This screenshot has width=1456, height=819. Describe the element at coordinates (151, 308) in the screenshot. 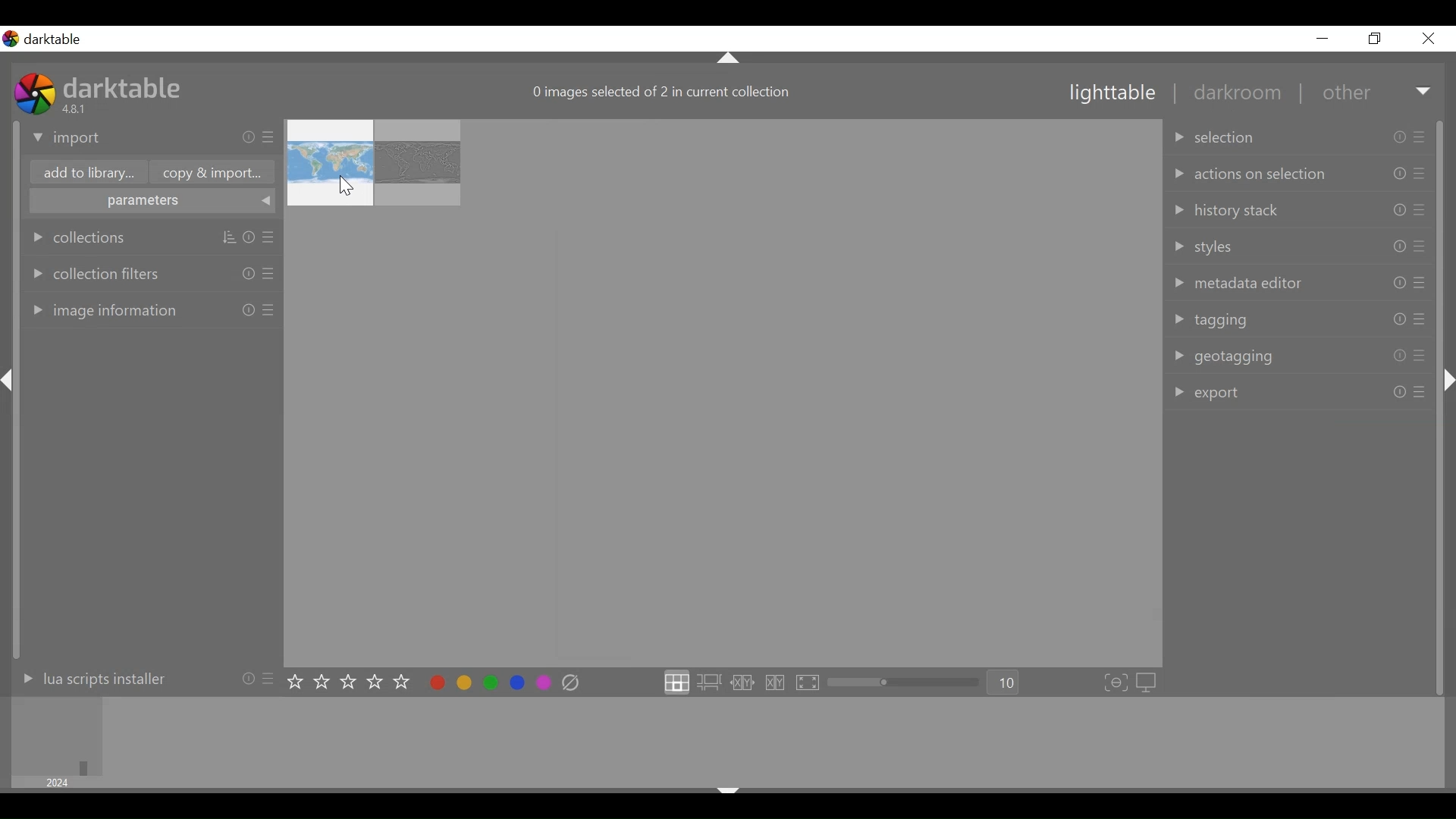

I see `Image information` at that location.